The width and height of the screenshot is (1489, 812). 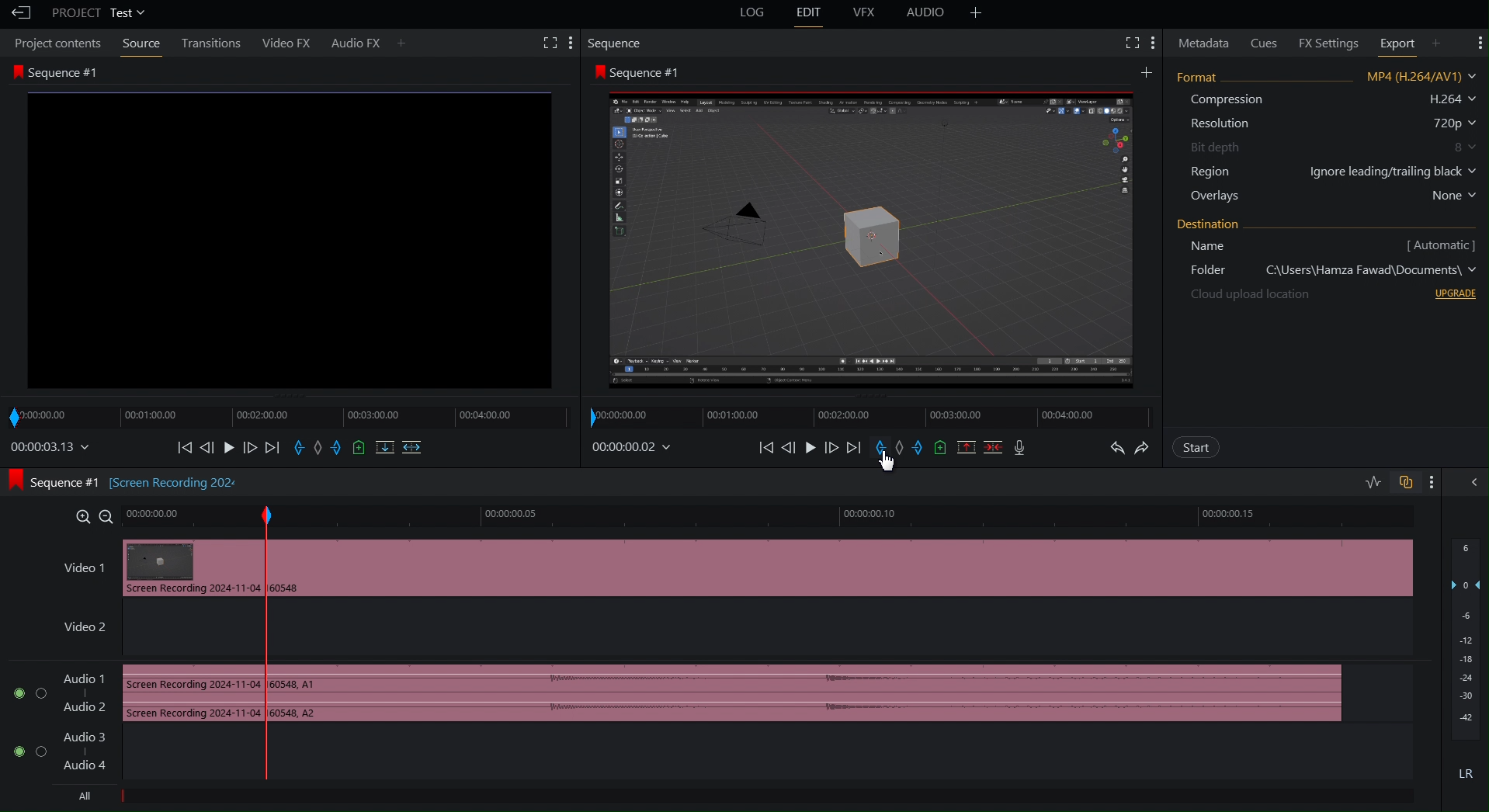 What do you see at coordinates (754, 14) in the screenshot?
I see `Log` at bounding box center [754, 14].